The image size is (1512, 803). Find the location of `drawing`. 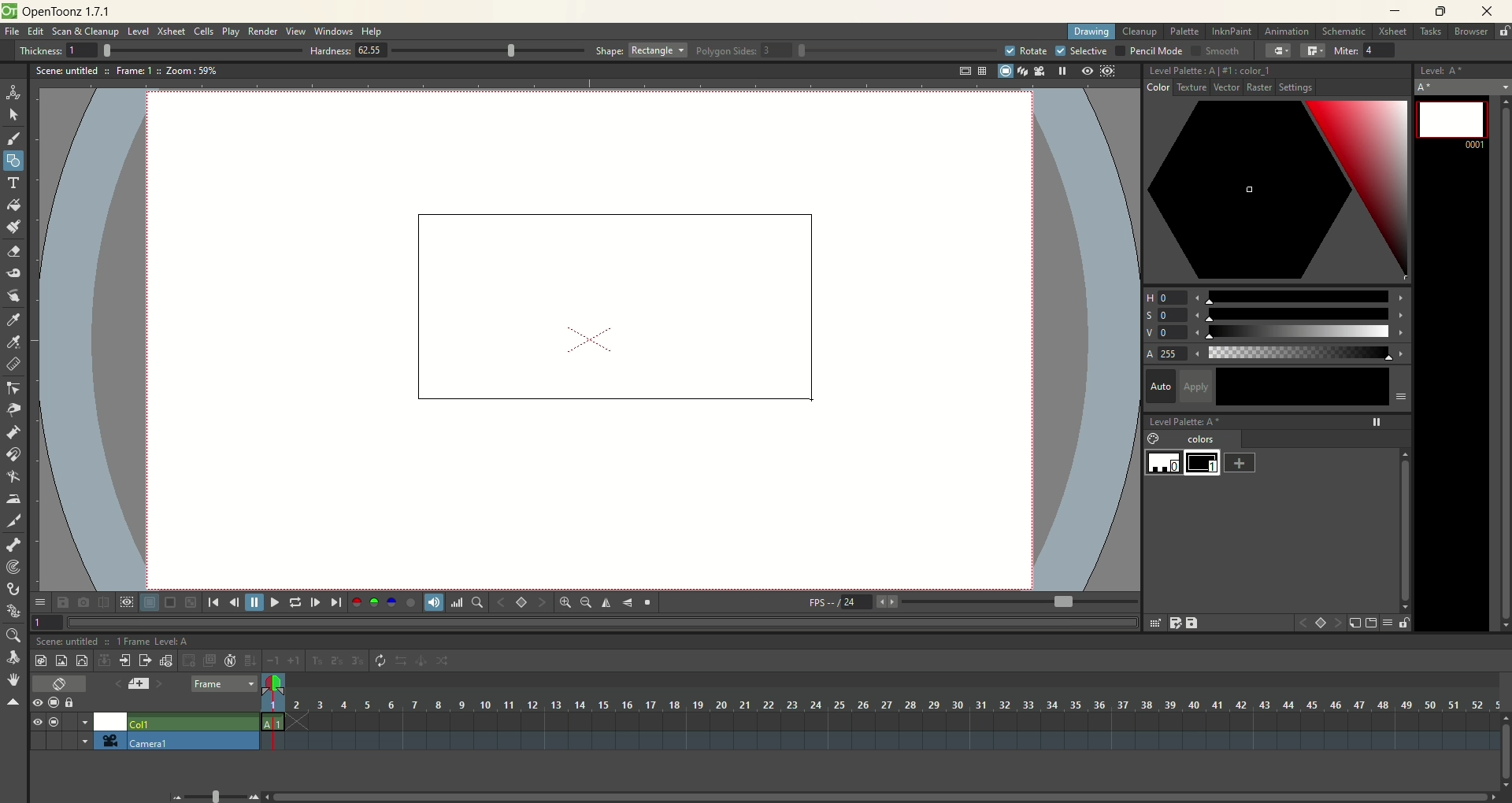

drawing is located at coordinates (1092, 32).